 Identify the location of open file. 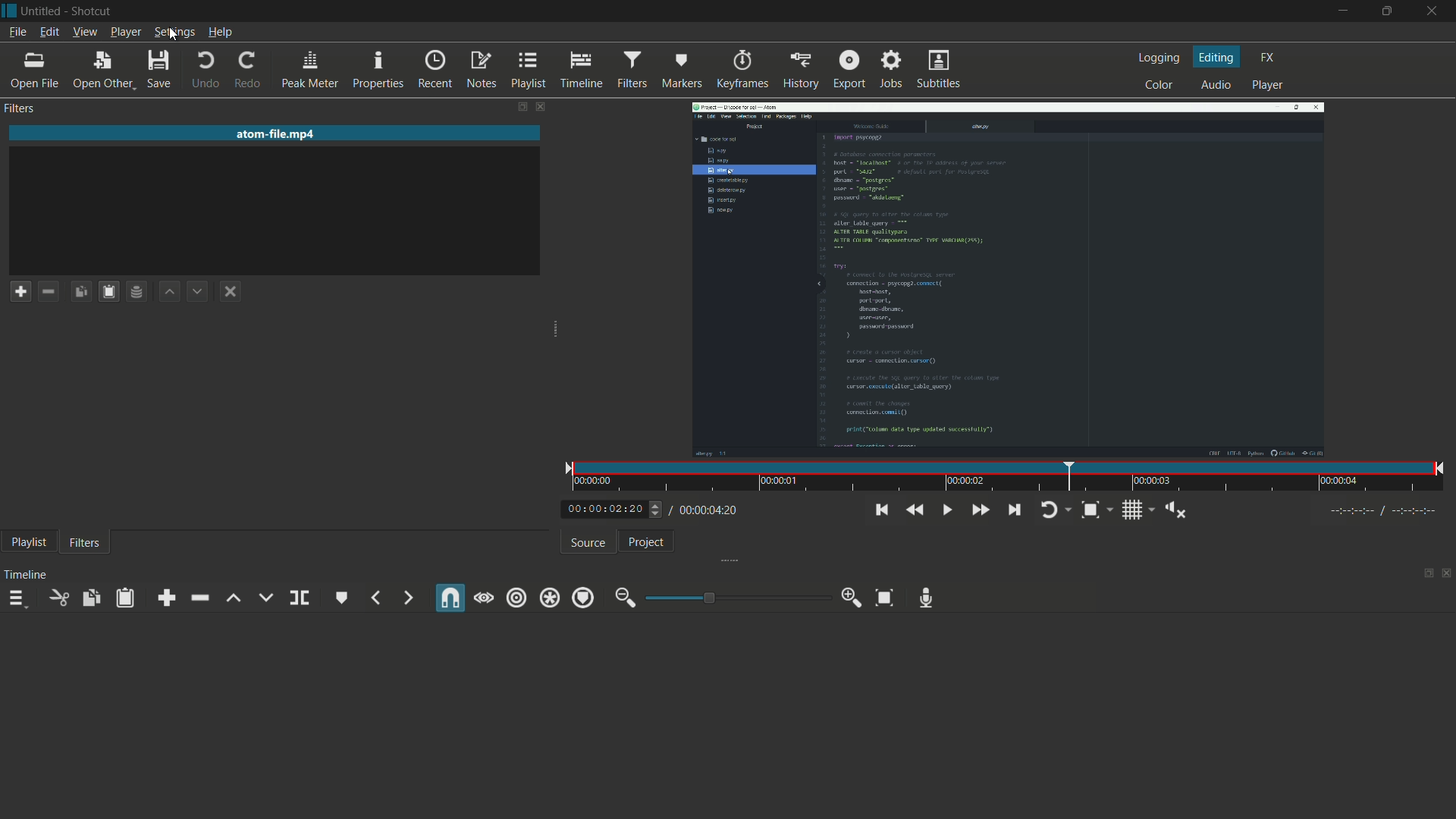
(35, 71).